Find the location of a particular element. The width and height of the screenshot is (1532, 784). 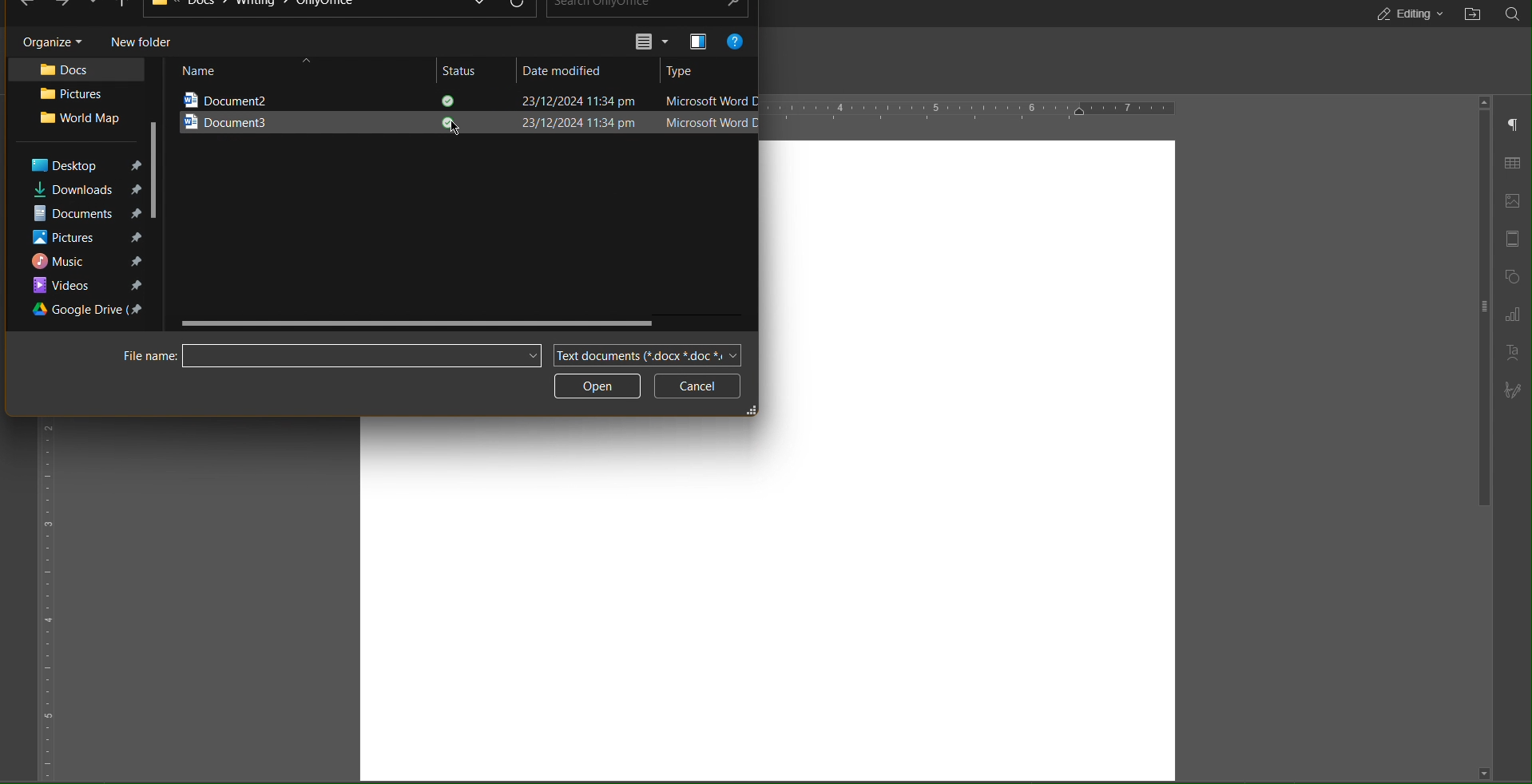

Pictures is located at coordinates (86, 240).